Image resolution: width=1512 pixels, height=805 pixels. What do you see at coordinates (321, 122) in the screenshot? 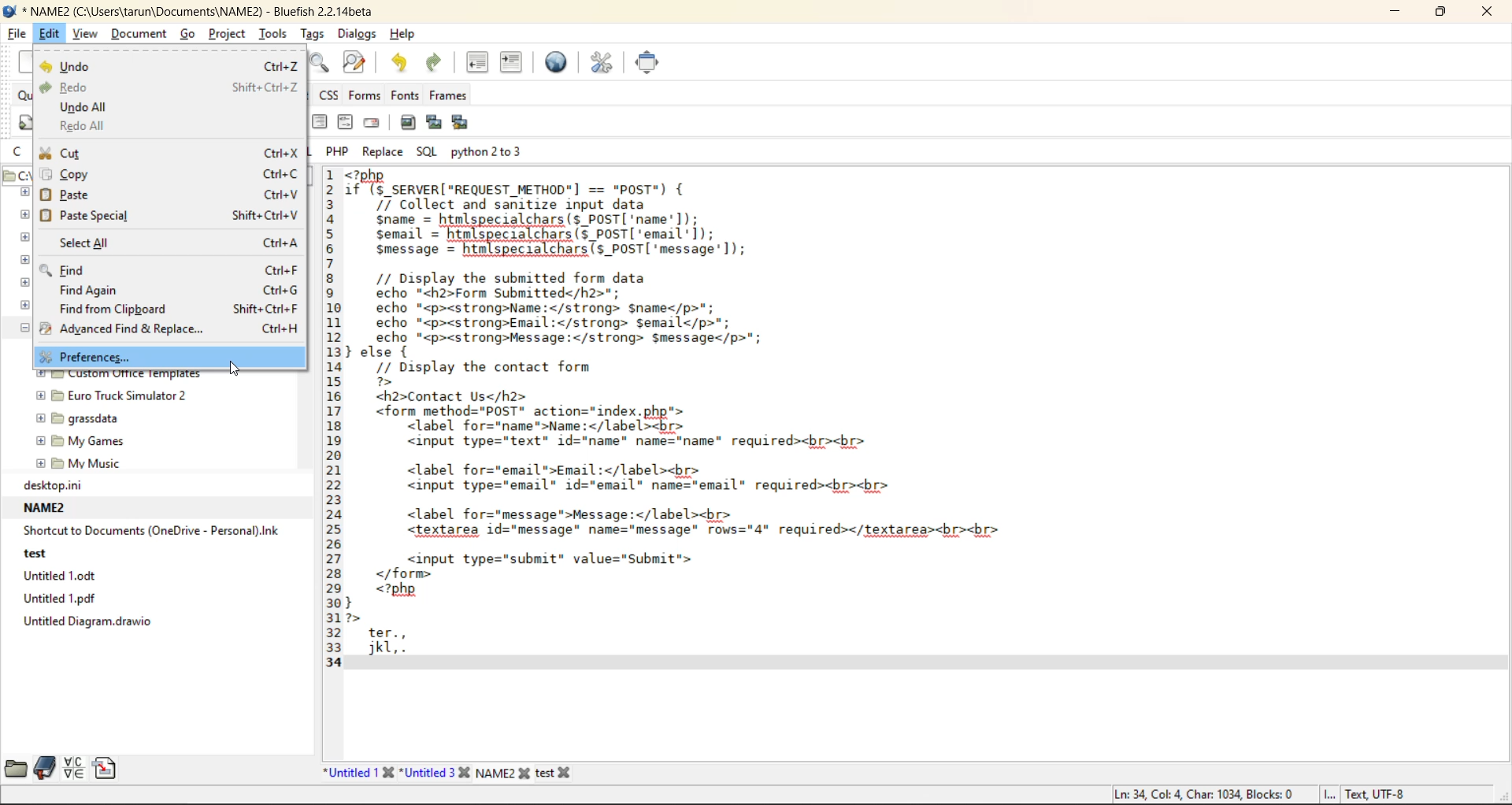
I see `right justify` at bounding box center [321, 122].